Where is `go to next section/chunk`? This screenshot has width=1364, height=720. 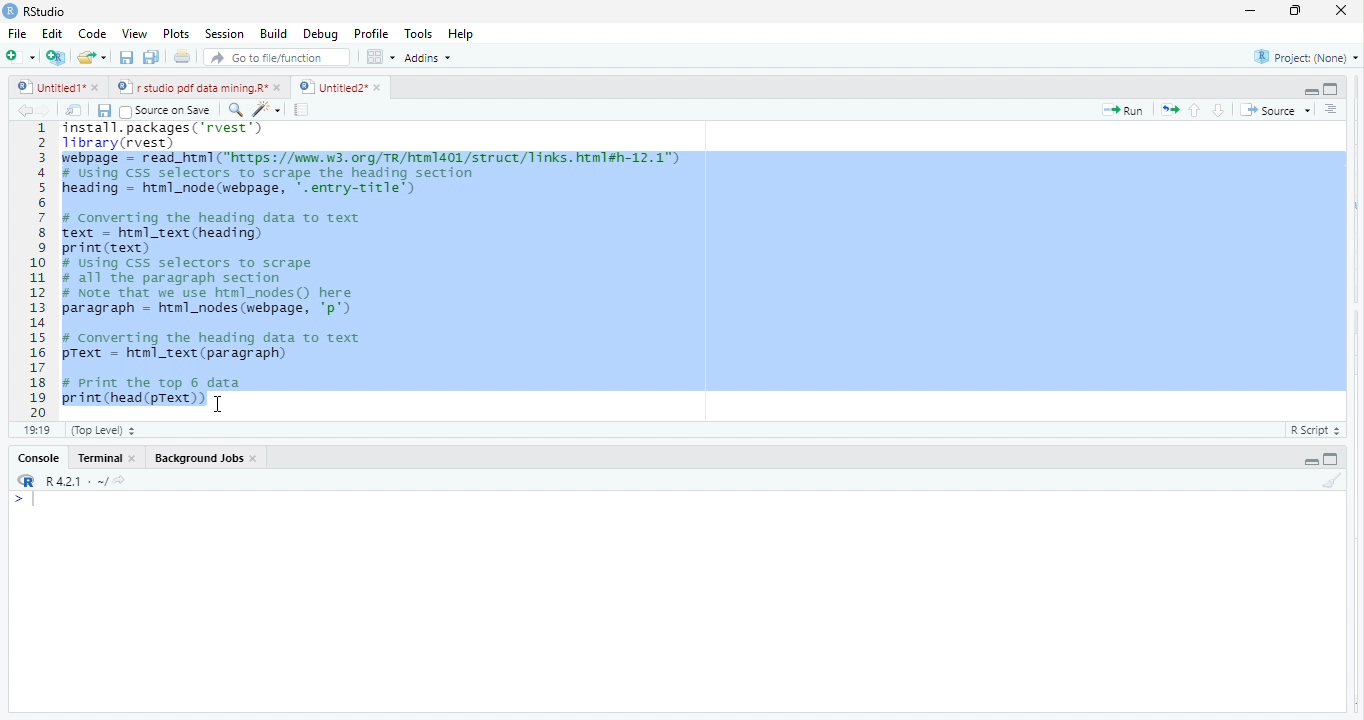
go to next section/chunk is located at coordinates (1220, 110).